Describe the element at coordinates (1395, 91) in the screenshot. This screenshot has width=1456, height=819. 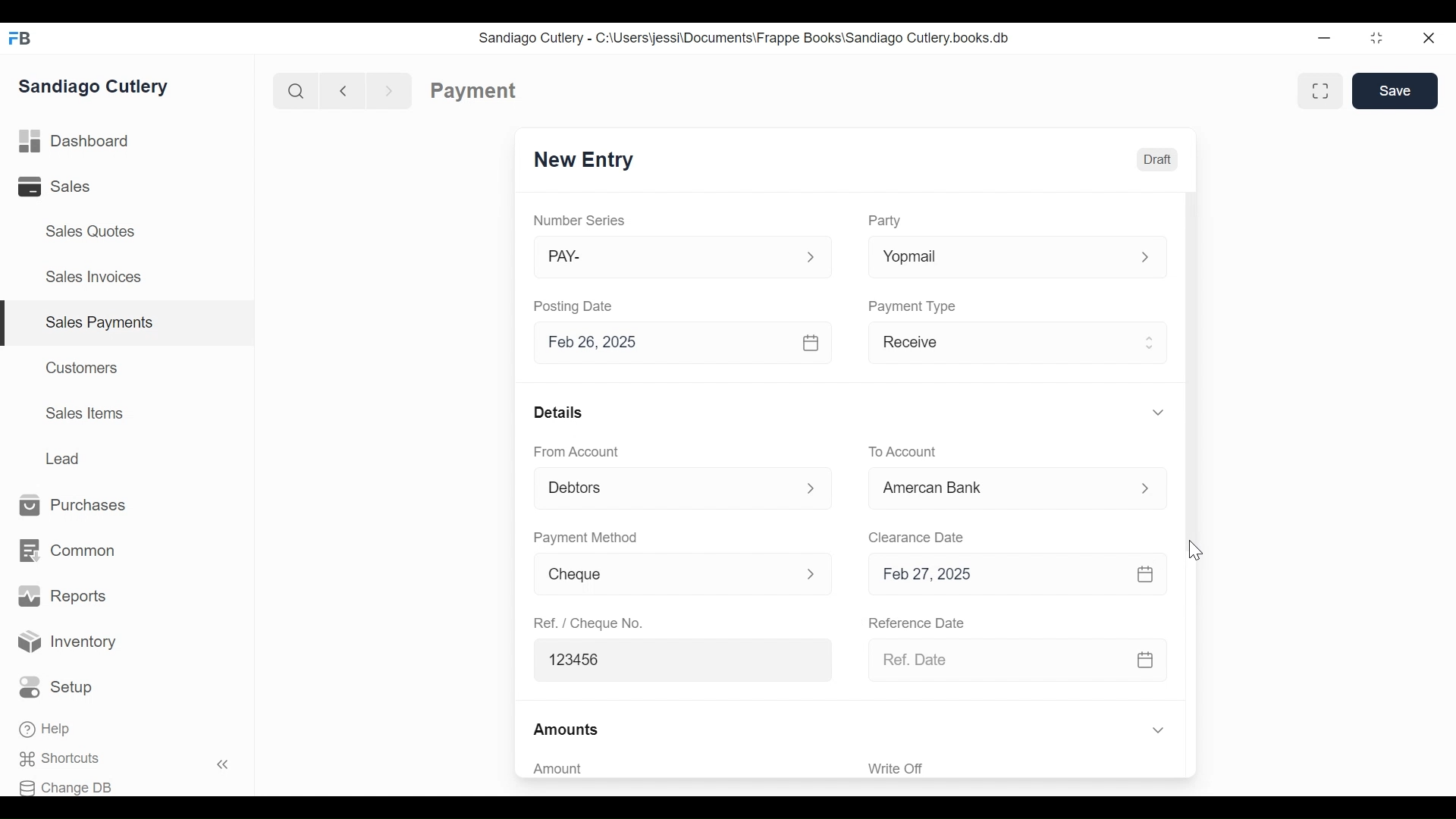
I see `Save` at that location.